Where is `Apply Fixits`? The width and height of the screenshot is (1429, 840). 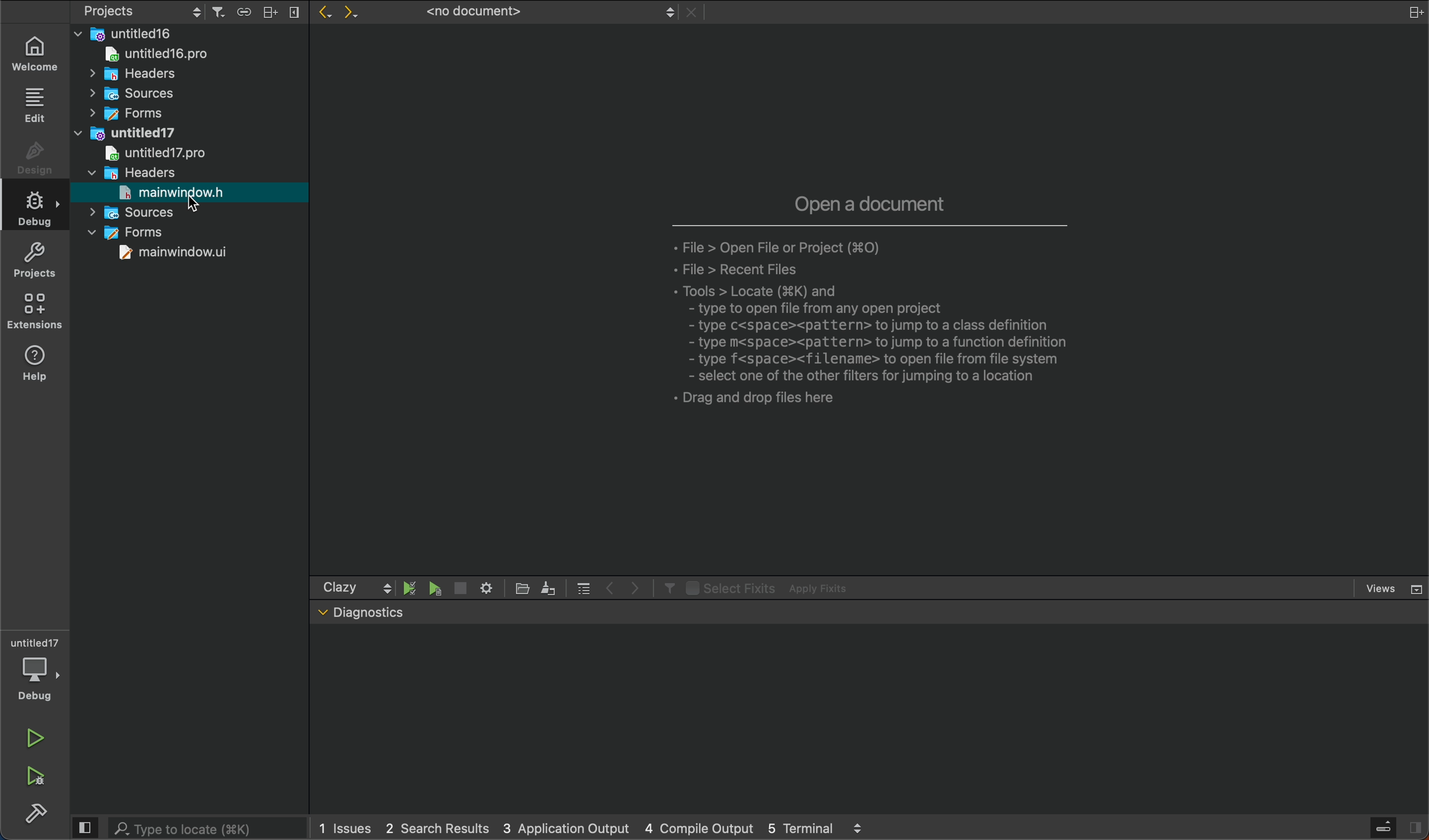 Apply Fixits is located at coordinates (822, 588).